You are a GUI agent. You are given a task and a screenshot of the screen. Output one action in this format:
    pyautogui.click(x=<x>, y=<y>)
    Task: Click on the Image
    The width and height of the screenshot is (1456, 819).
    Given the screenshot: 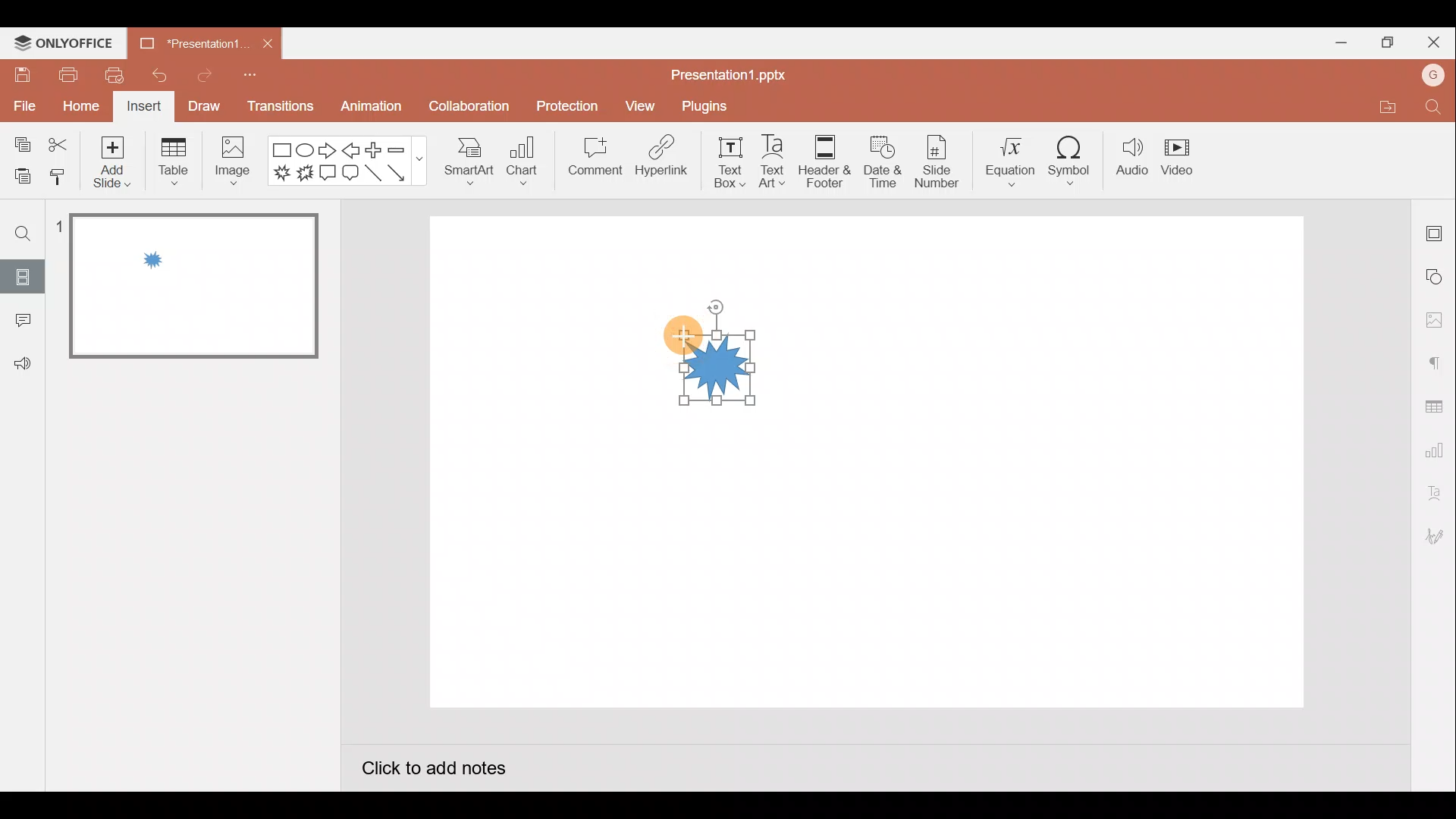 What is the action you would take?
    pyautogui.click(x=237, y=162)
    